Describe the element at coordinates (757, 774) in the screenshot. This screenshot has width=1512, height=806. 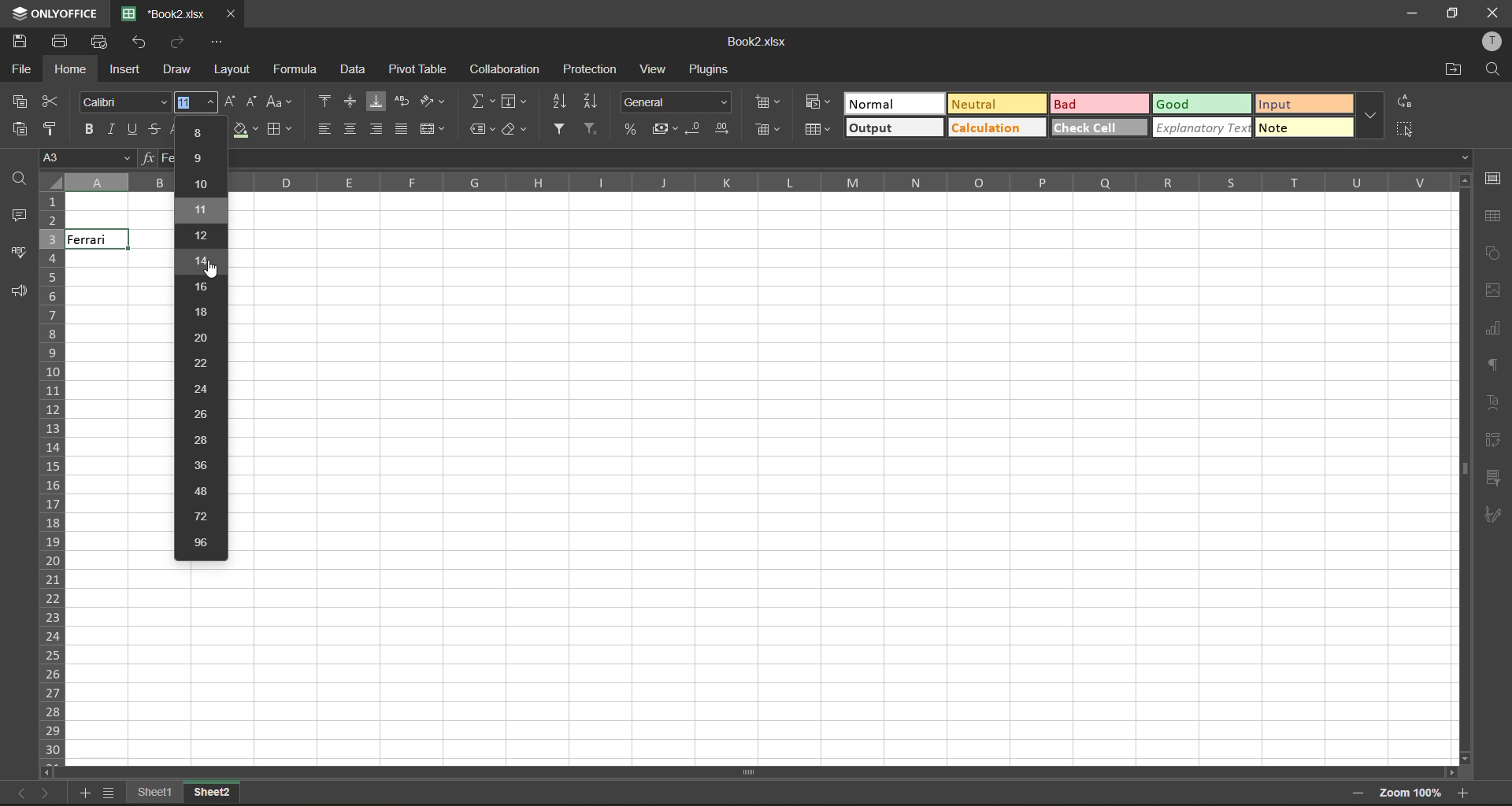
I see `Vertical Scrollbar` at that location.